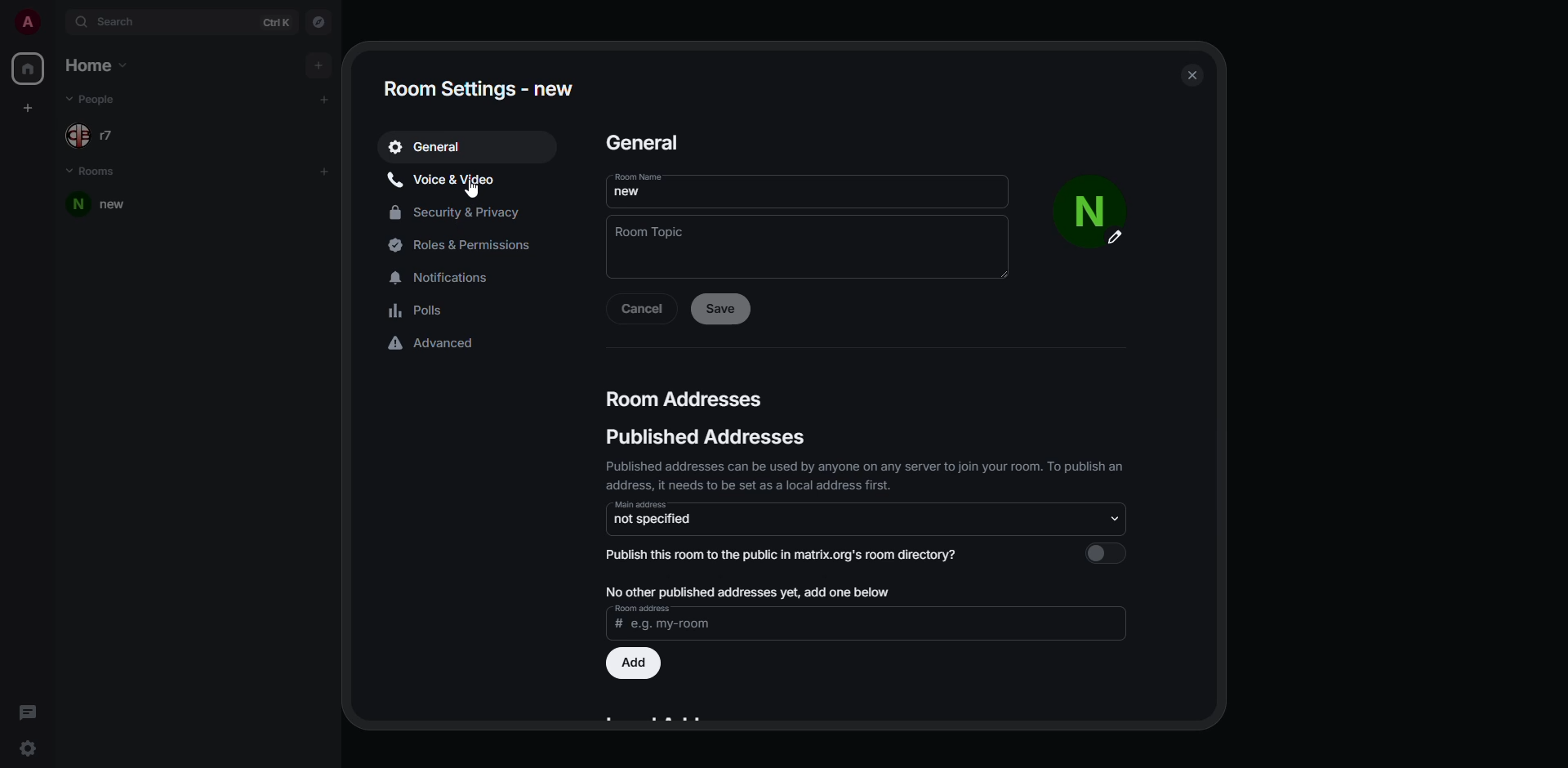 The height and width of the screenshot is (768, 1568). What do you see at coordinates (319, 23) in the screenshot?
I see `navigator` at bounding box center [319, 23].